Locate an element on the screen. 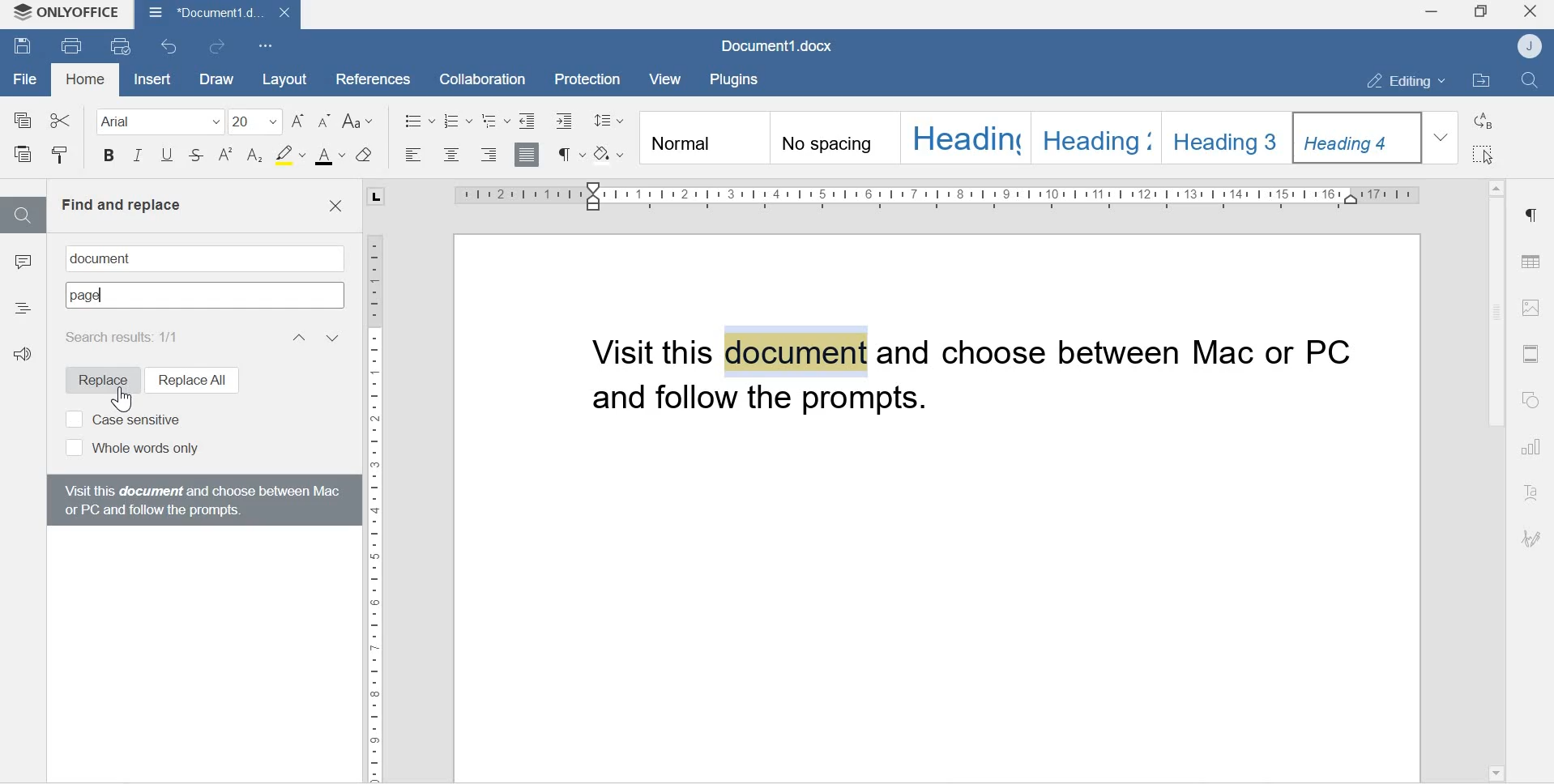 The height and width of the screenshot is (784, 1554). Font is located at coordinates (155, 121).